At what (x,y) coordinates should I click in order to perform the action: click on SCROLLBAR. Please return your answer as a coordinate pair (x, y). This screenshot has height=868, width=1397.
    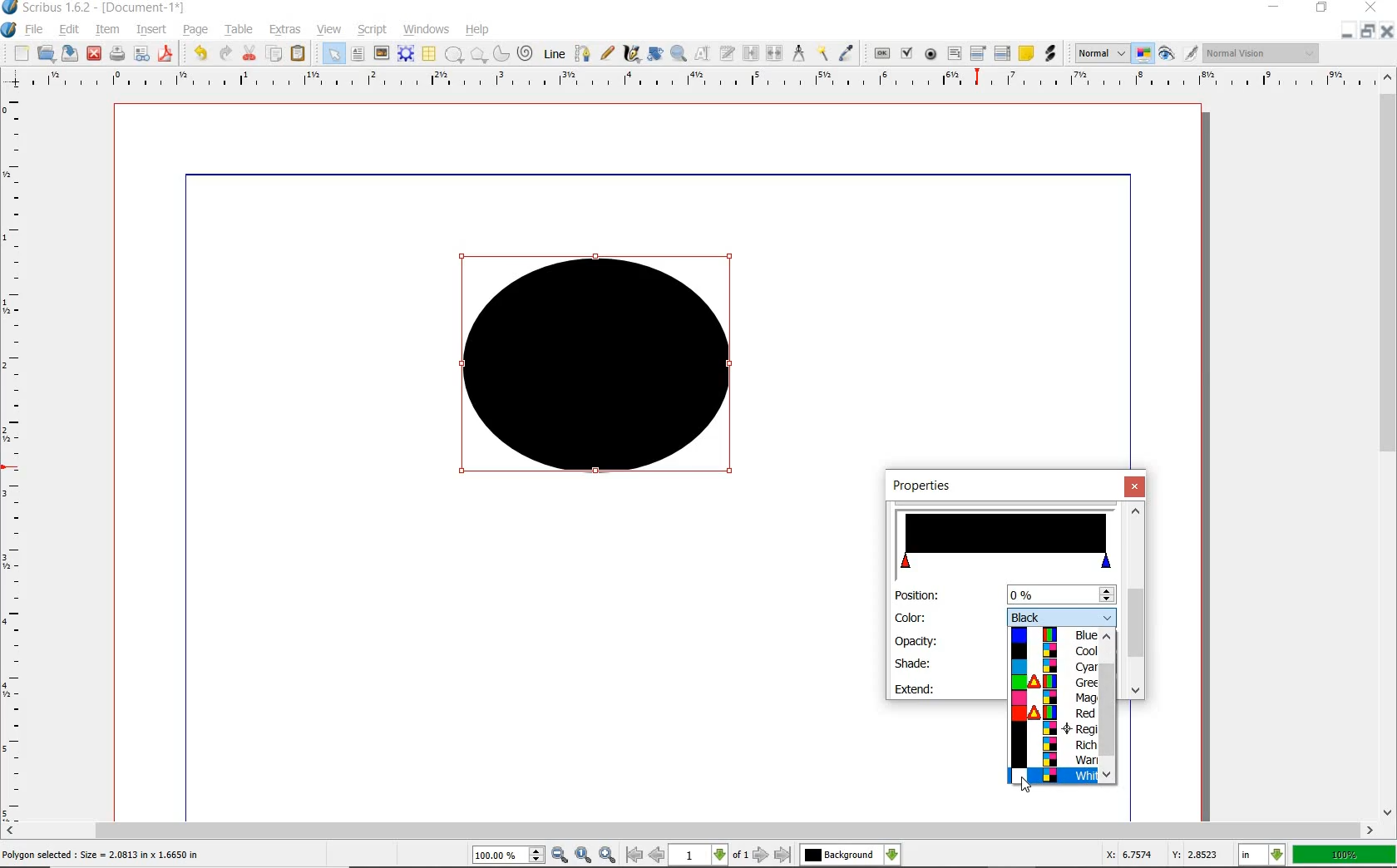
    Looking at the image, I should click on (1389, 442).